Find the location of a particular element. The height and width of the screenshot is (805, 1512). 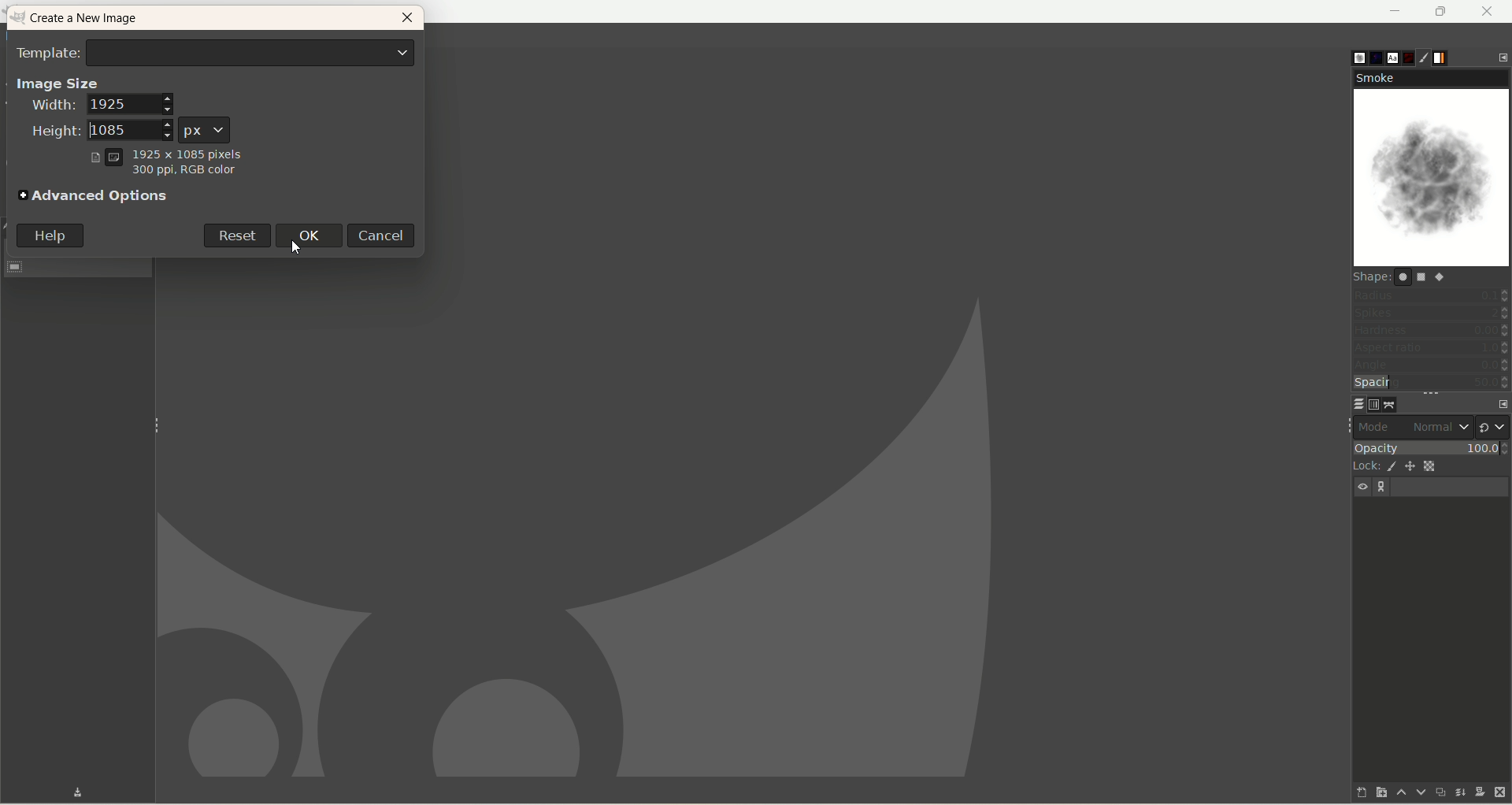

close is located at coordinates (1488, 11).